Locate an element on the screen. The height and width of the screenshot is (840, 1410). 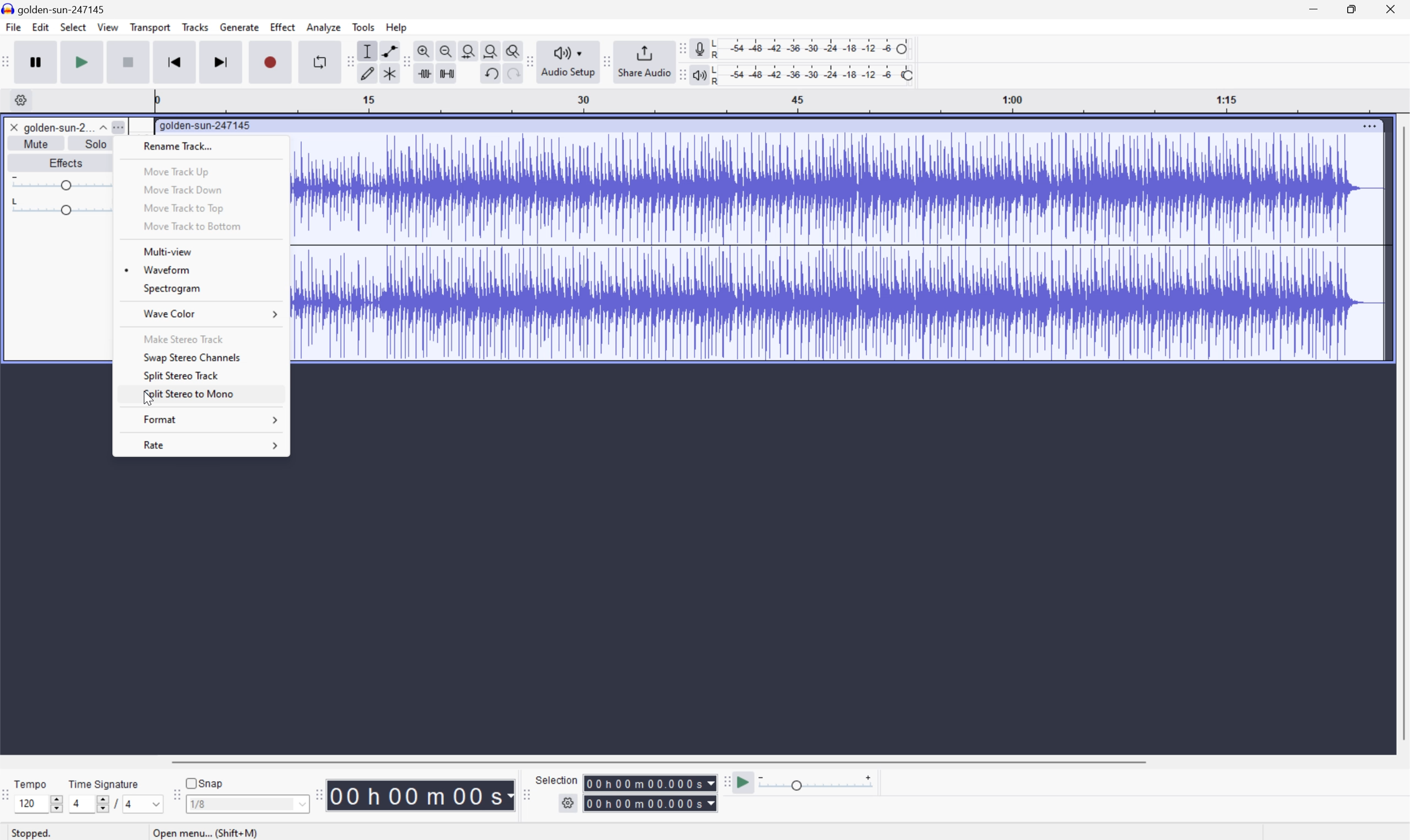
Multi-view is located at coordinates (166, 251).